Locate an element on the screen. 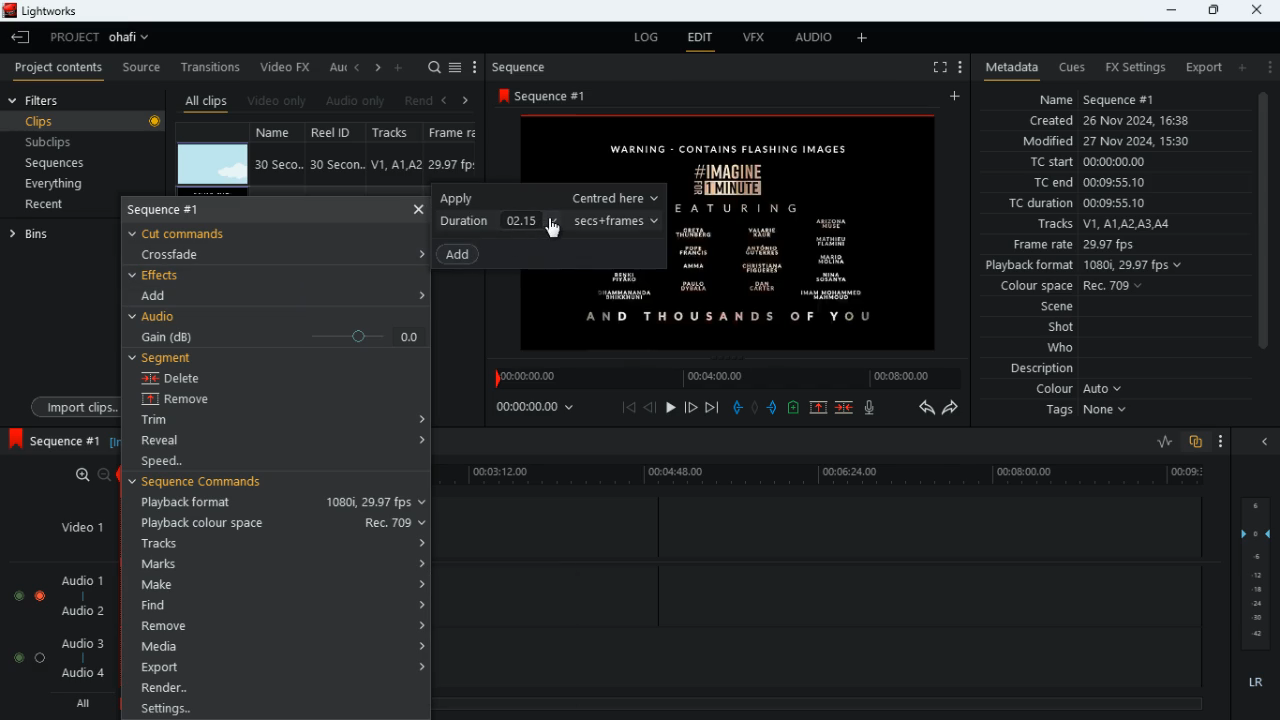  description is located at coordinates (1043, 369).